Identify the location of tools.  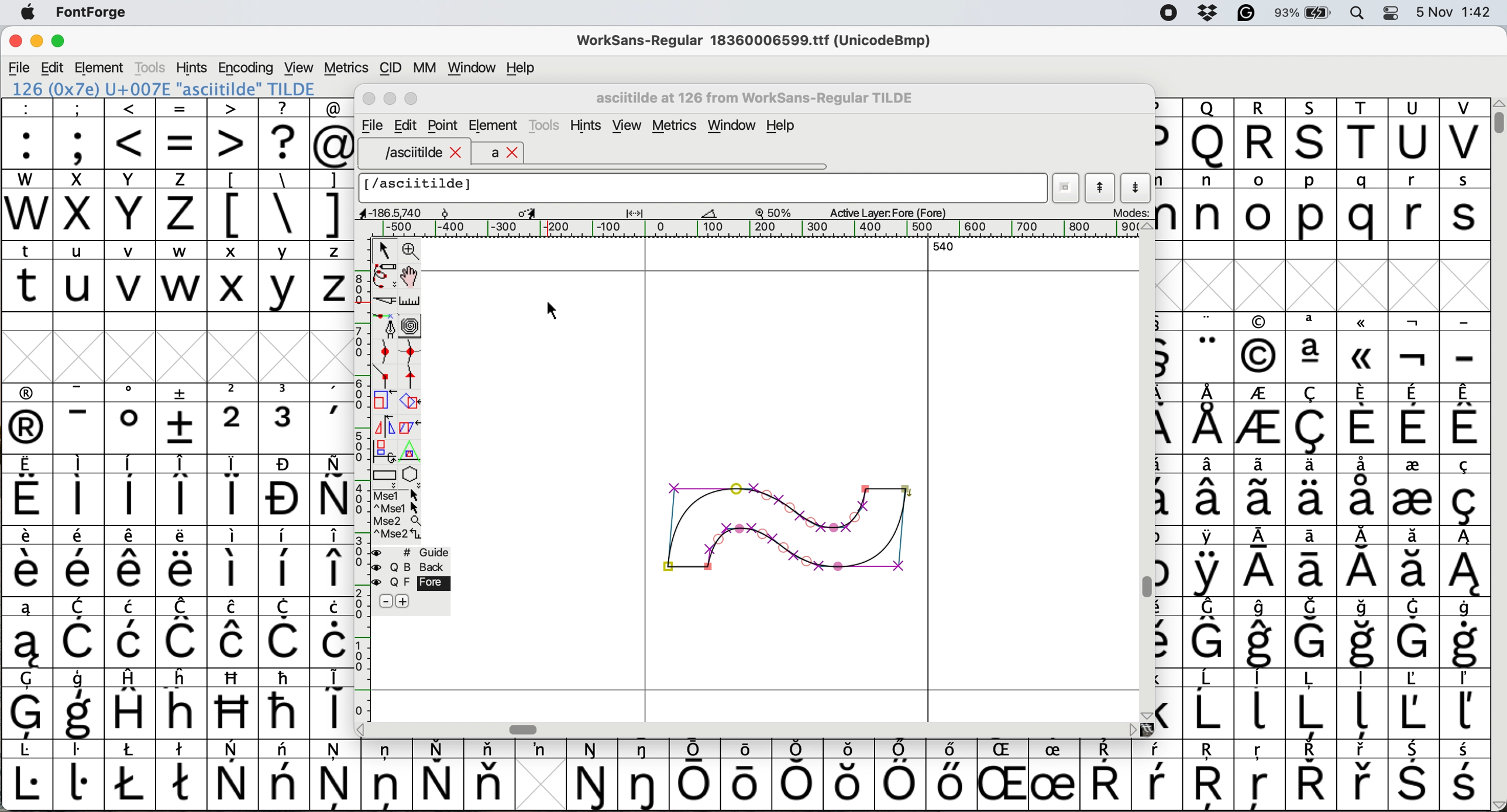
(546, 123).